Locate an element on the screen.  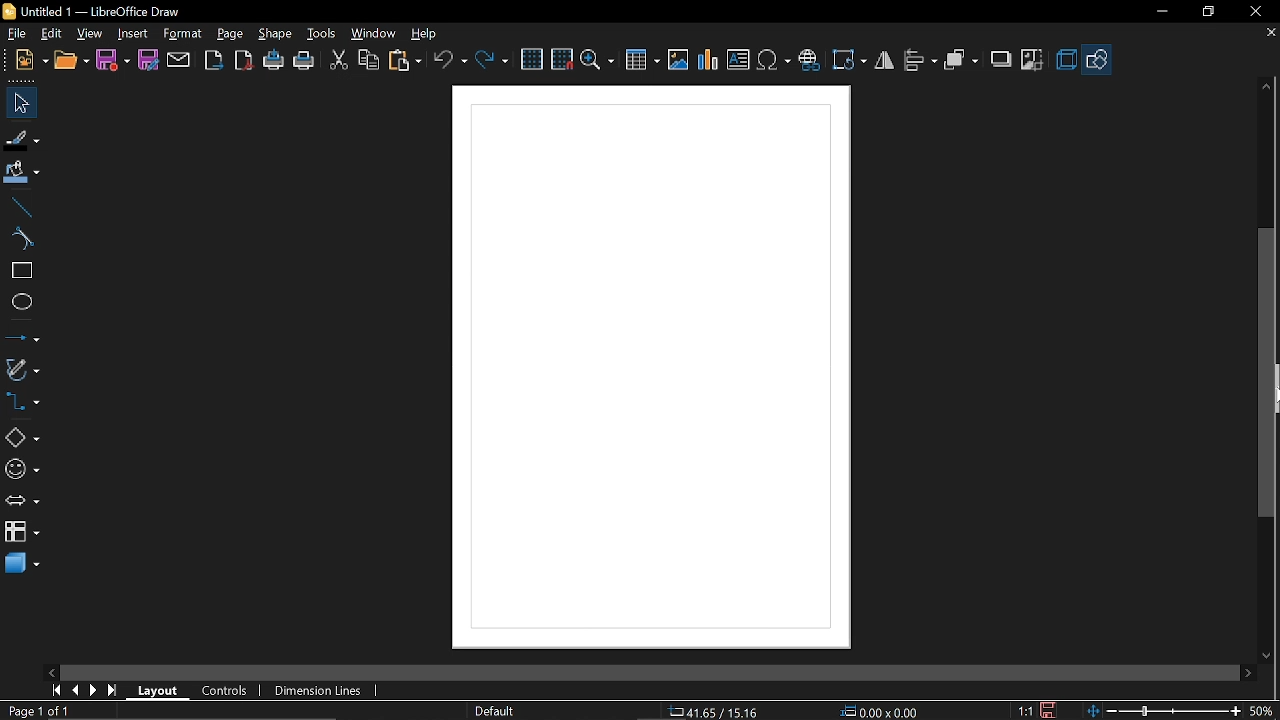
Move up is located at coordinates (1264, 86).